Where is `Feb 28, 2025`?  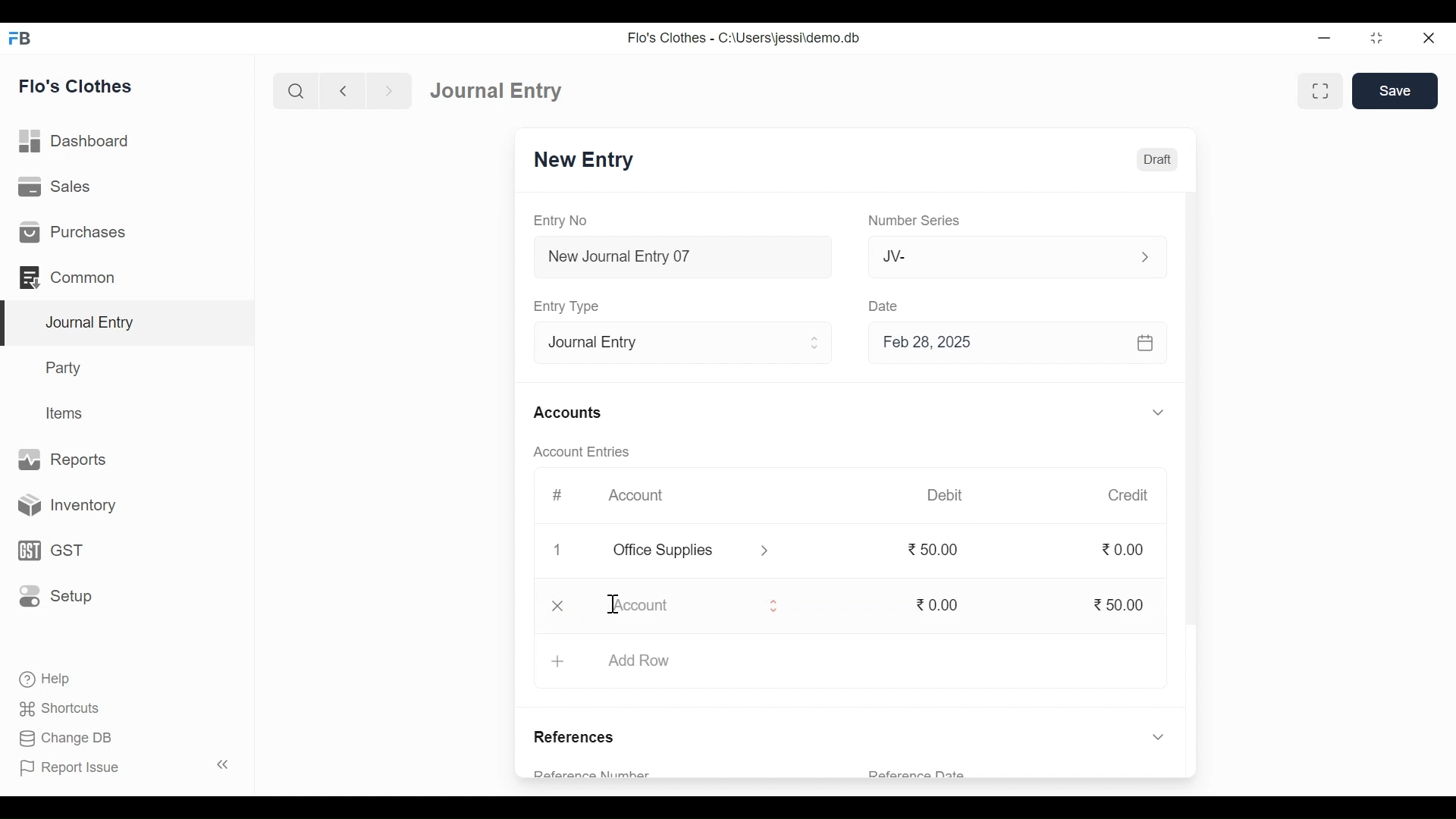
Feb 28, 2025 is located at coordinates (1011, 345).